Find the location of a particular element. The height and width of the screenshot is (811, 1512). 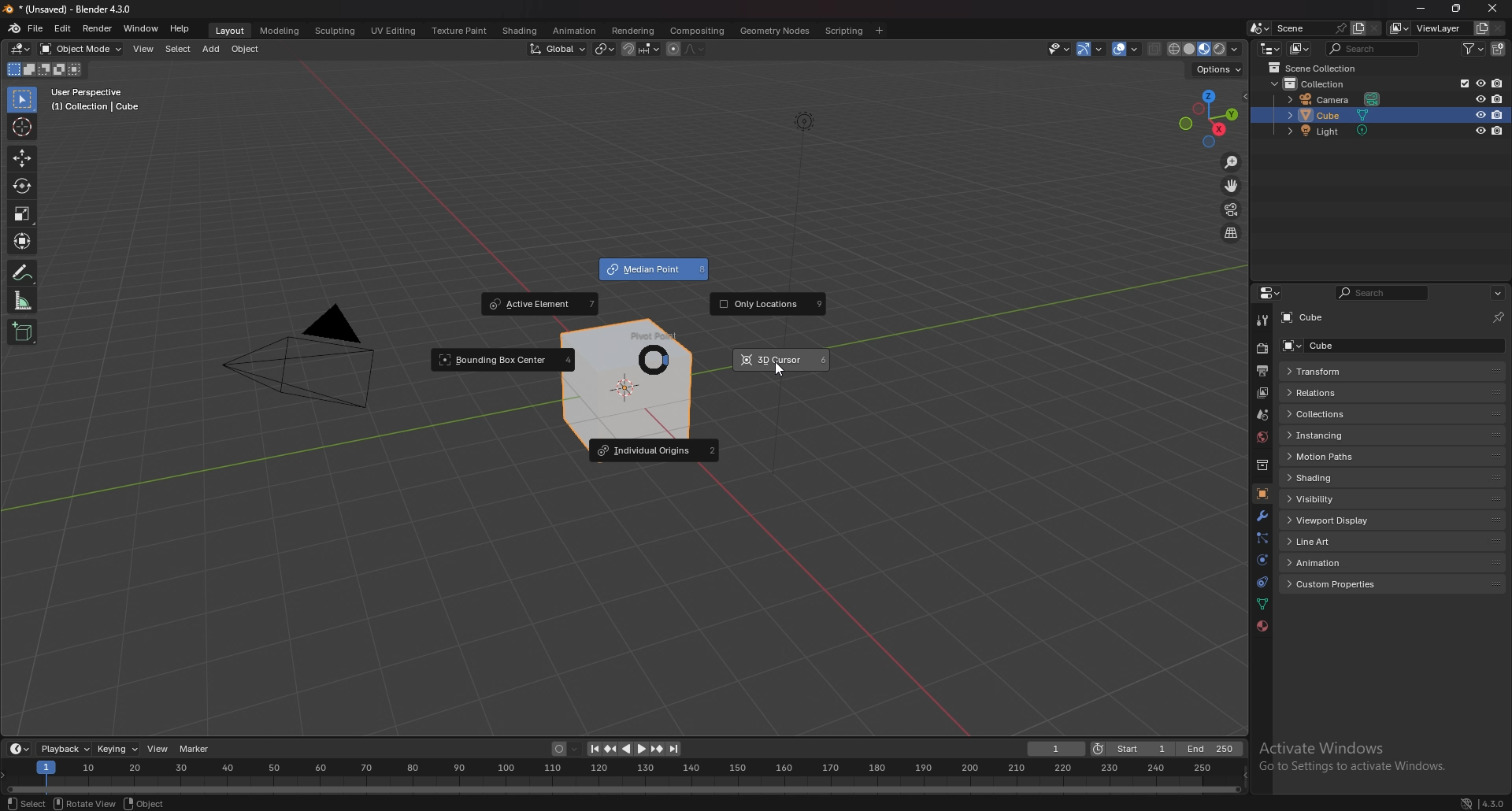

preset viewpoint is located at coordinates (1208, 118).